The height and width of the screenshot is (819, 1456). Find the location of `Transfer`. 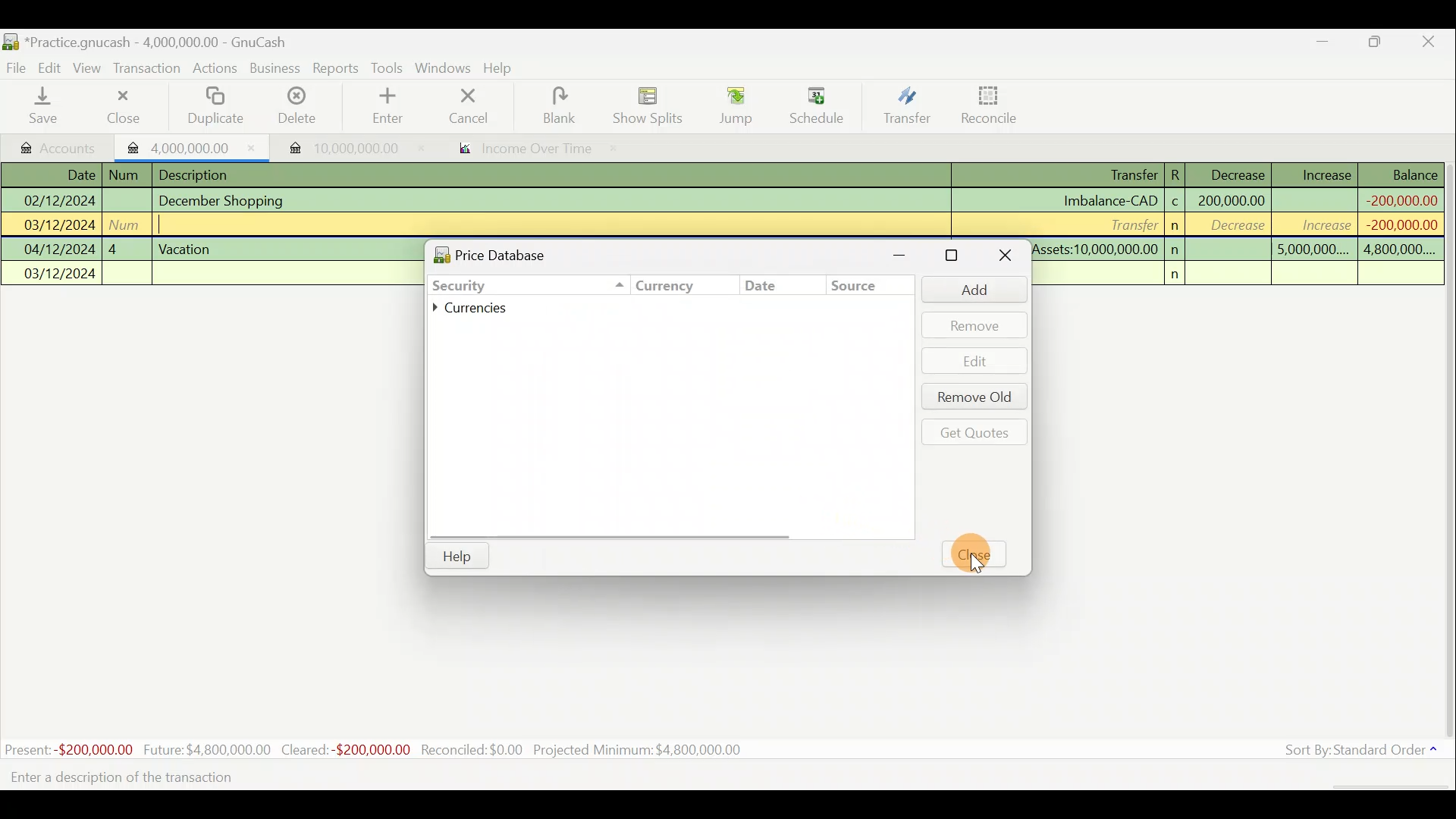

Transfer is located at coordinates (904, 108).